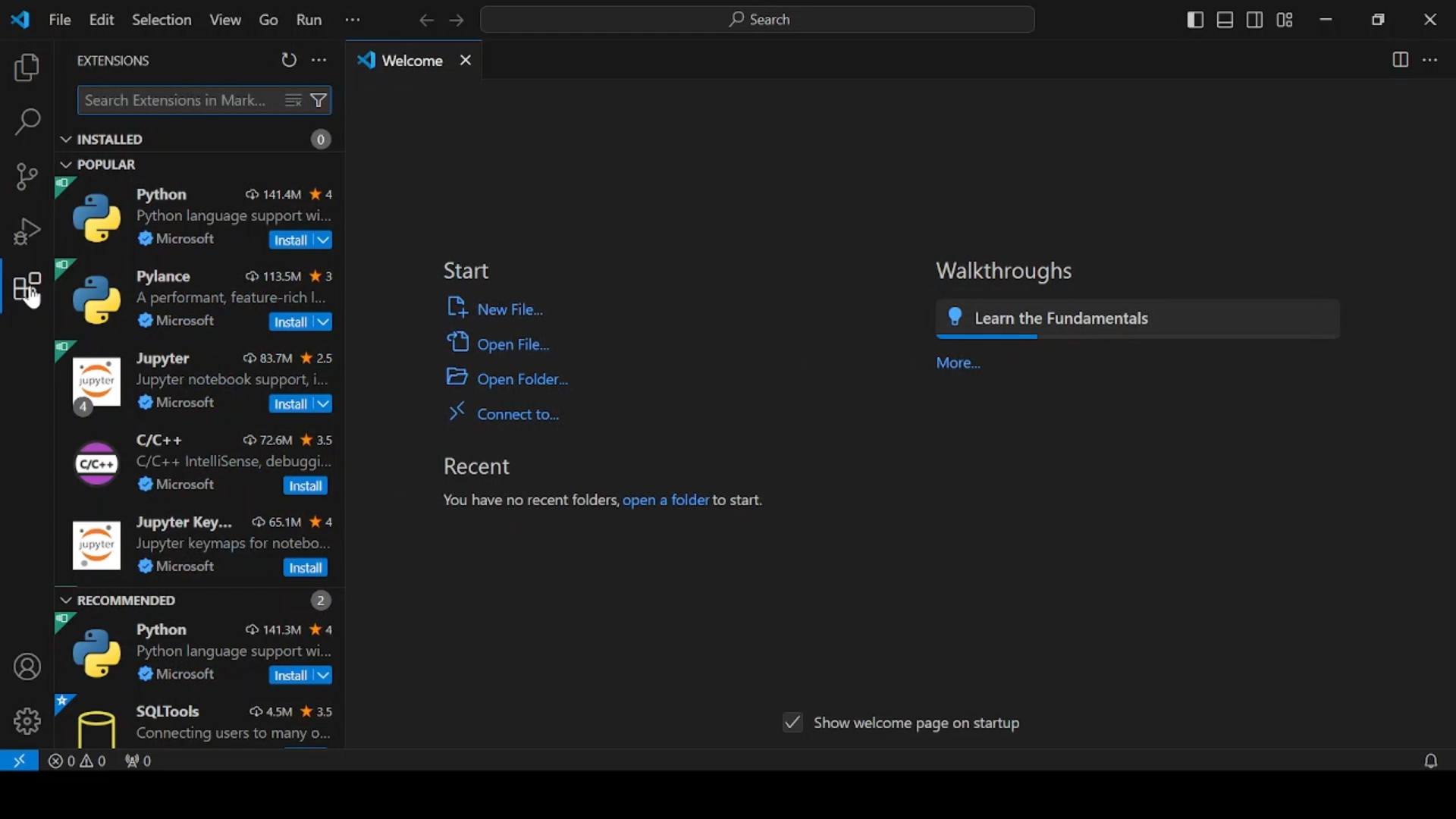 This screenshot has width=1456, height=819. I want to click on selection, so click(160, 19).